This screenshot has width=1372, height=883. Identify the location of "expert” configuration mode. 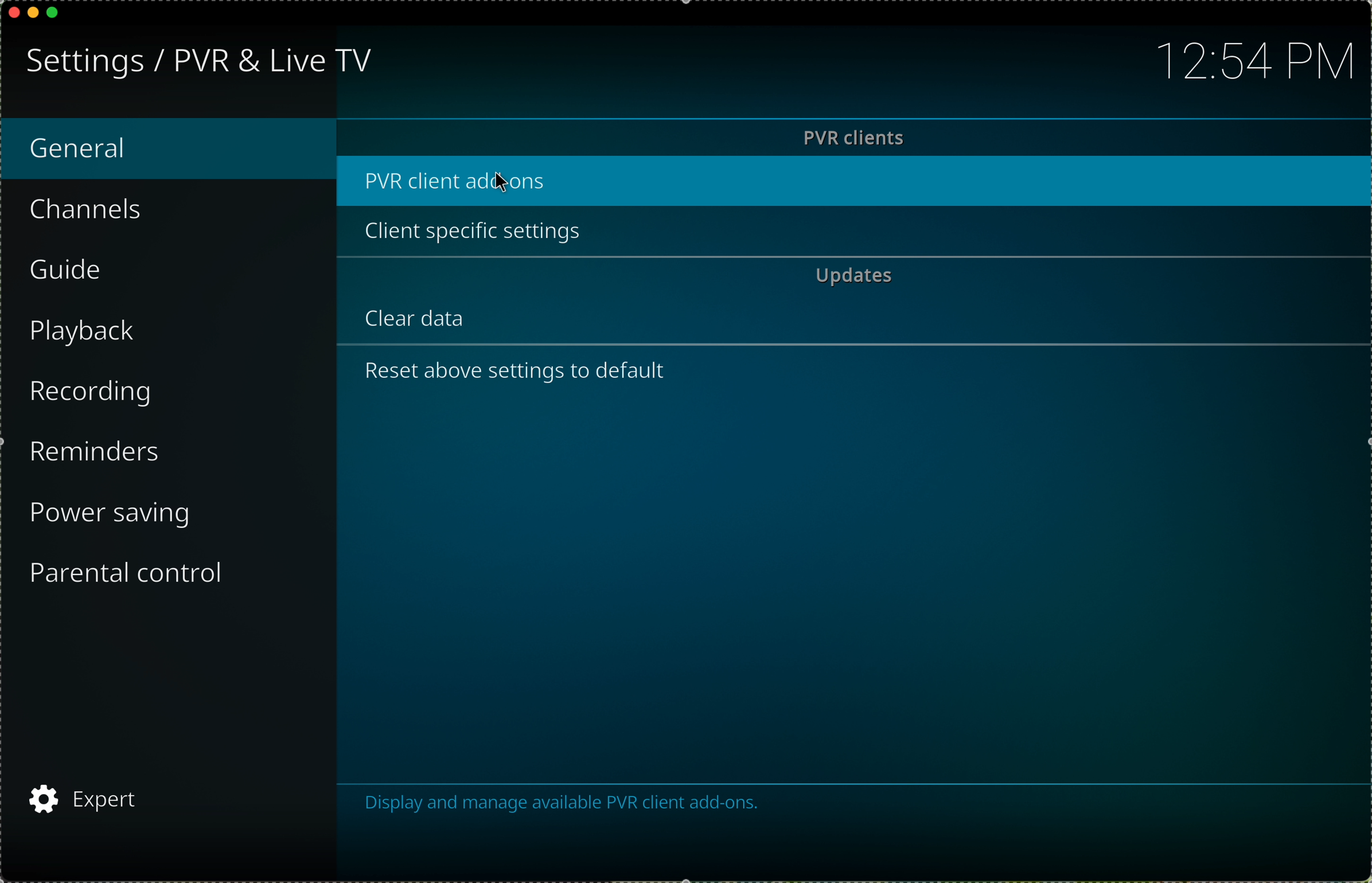
(87, 800).